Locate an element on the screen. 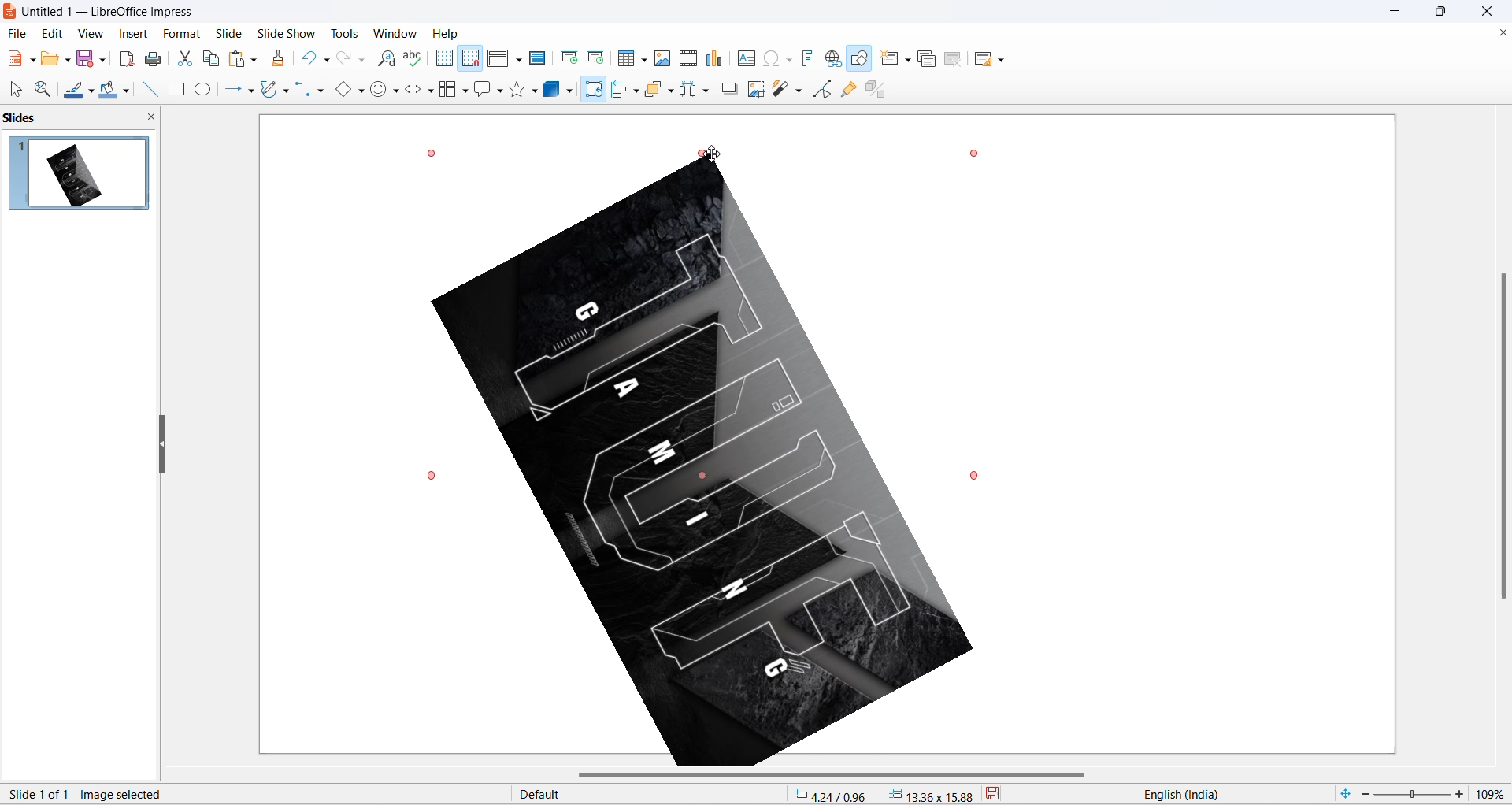 This screenshot has width=1512, height=805. fill color is located at coordinates (106, 91).